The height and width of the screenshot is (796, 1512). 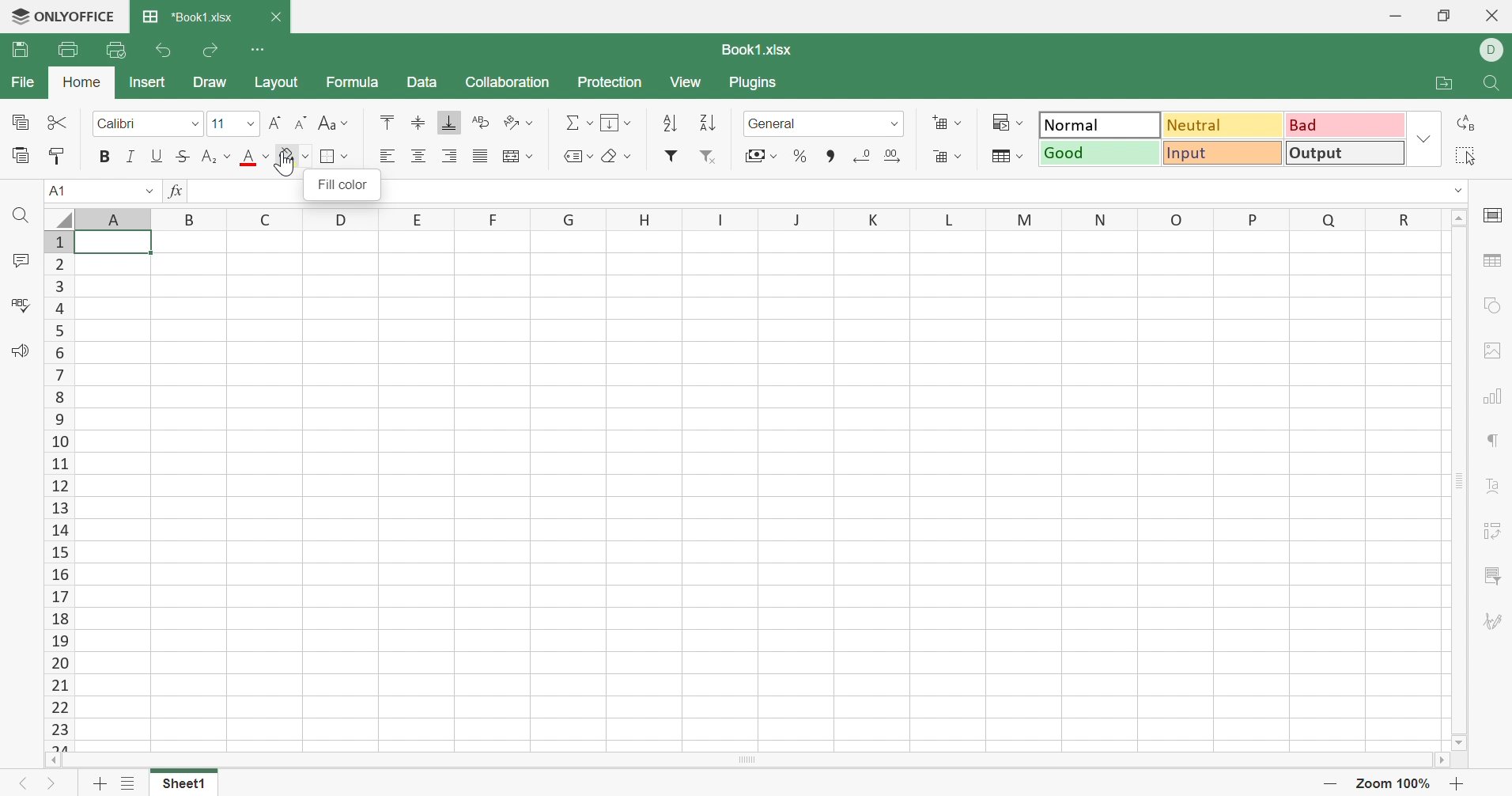 I want to click on Named ranges, so click(x=580, y=156).